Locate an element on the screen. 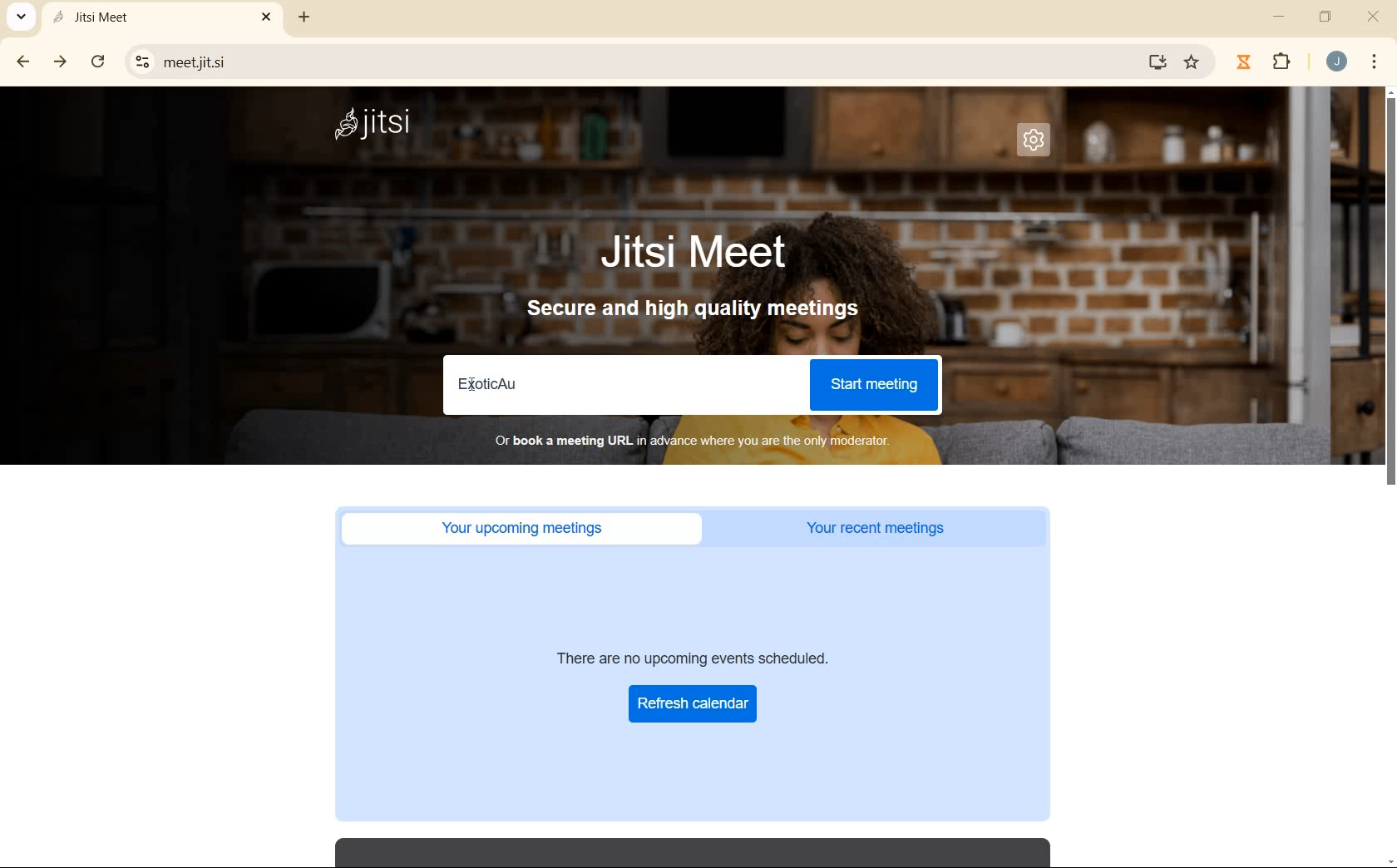 This screenshot has height=868, width=1397. back is located at coordinates (24, 62).